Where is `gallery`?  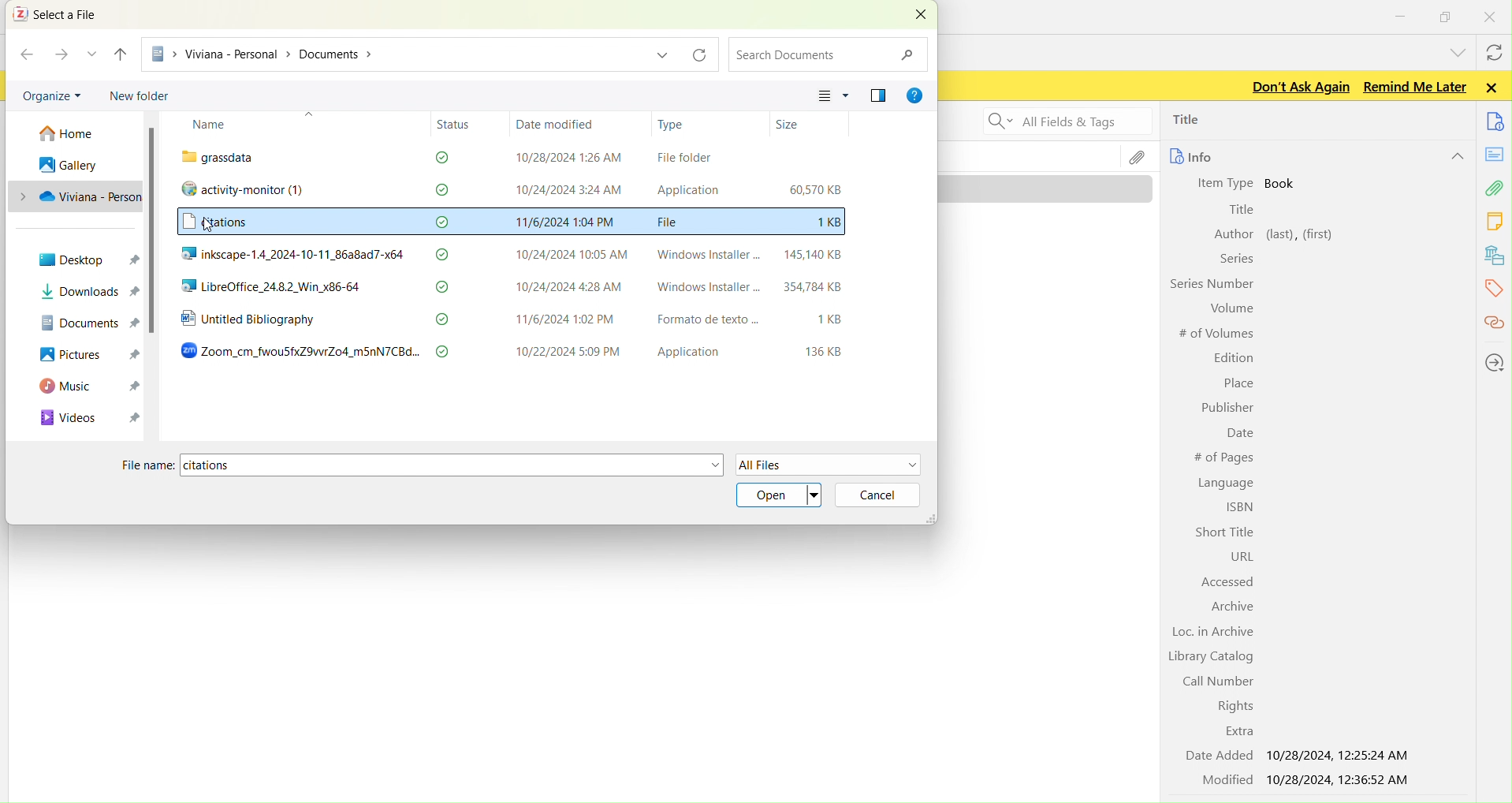 gallery is located at coordinates (75, 162).